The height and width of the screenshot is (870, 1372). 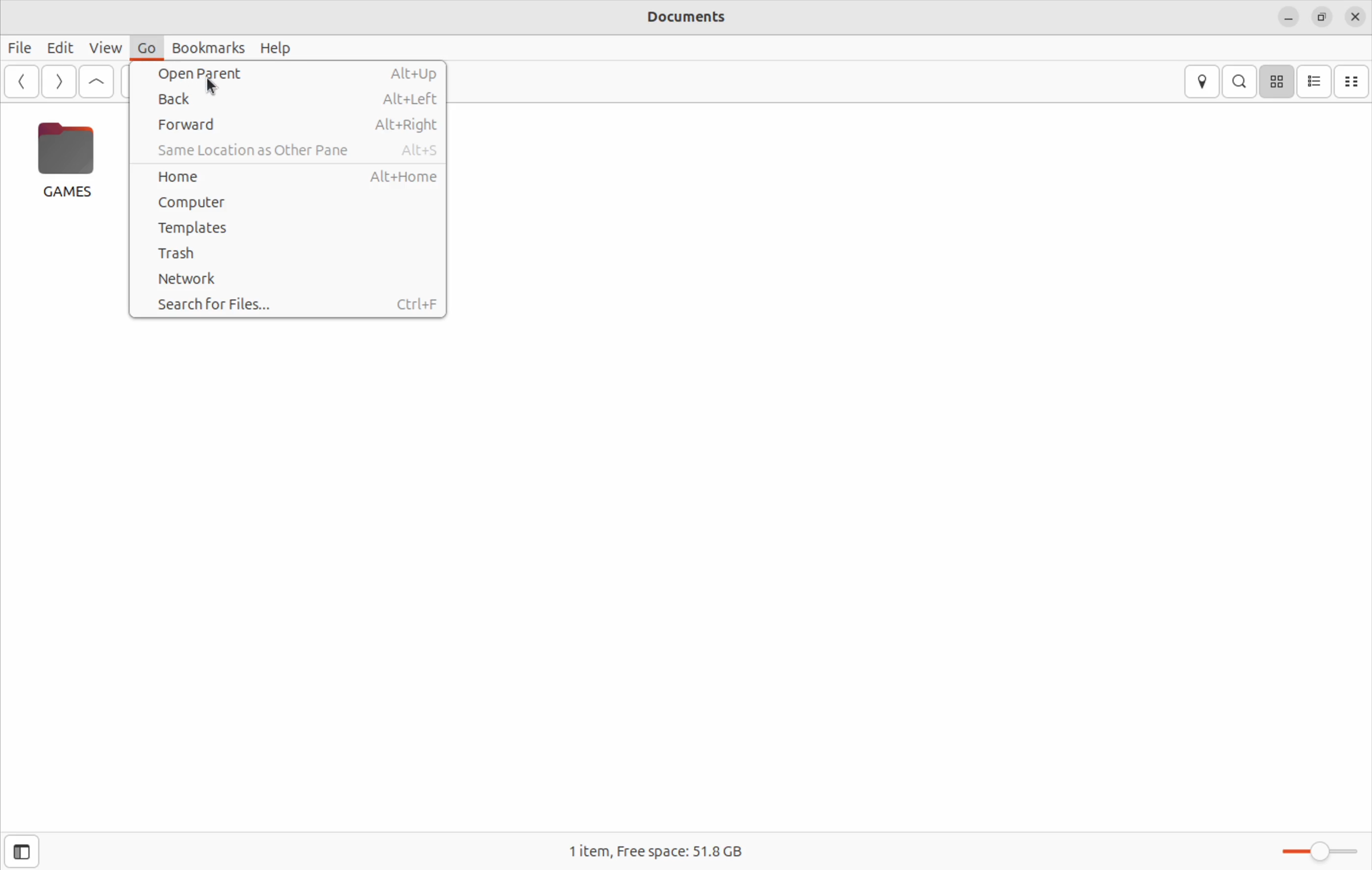 I want to click on search for files, so click(x=293, y=304).